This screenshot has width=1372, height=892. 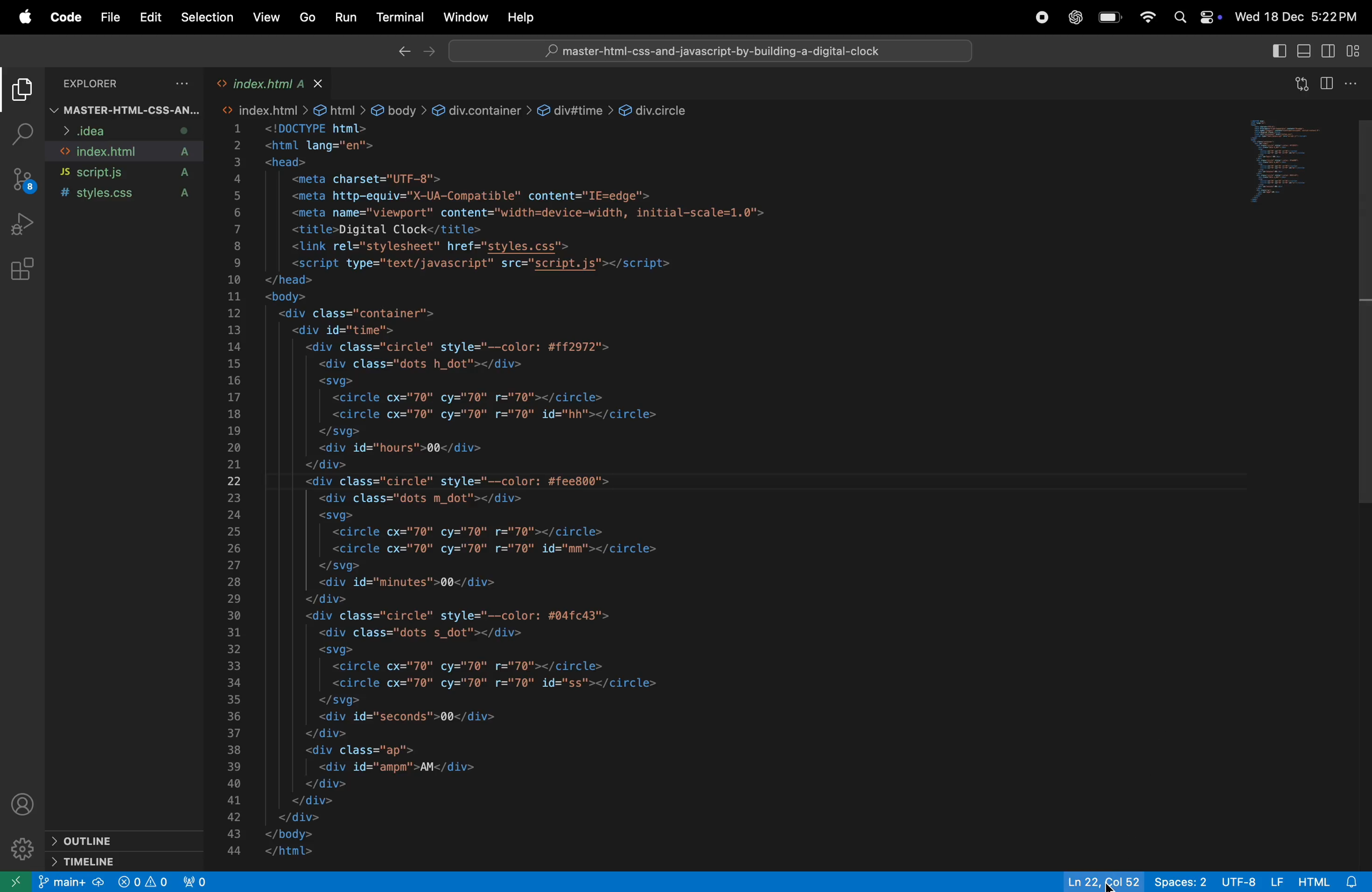 What do you see at coordinates (267, 19) in the screenshot?
I see `view` at bounding box center [267, 19].